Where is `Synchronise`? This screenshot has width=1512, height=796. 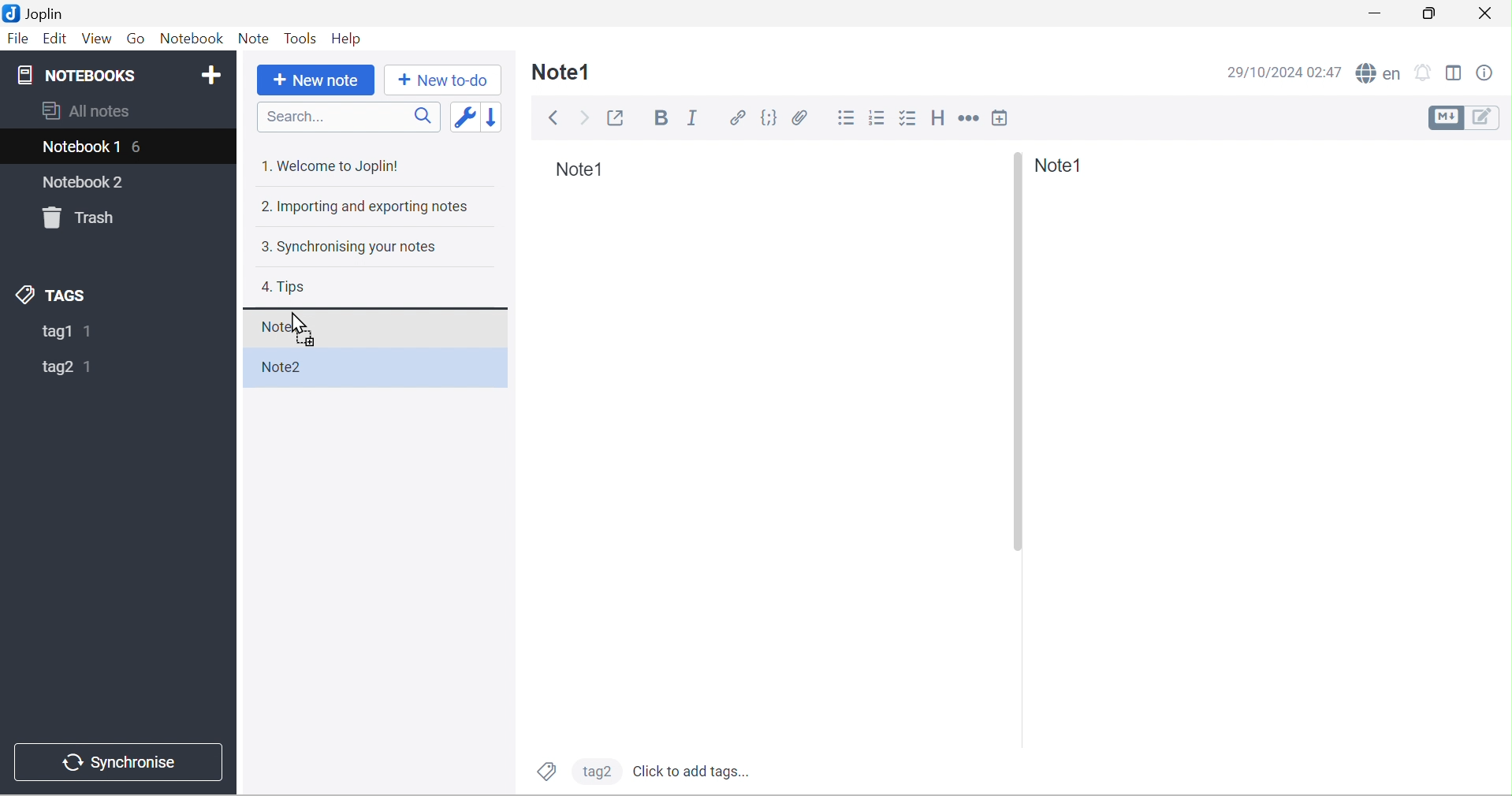
Synchronise is located at coordinates (119, 761).